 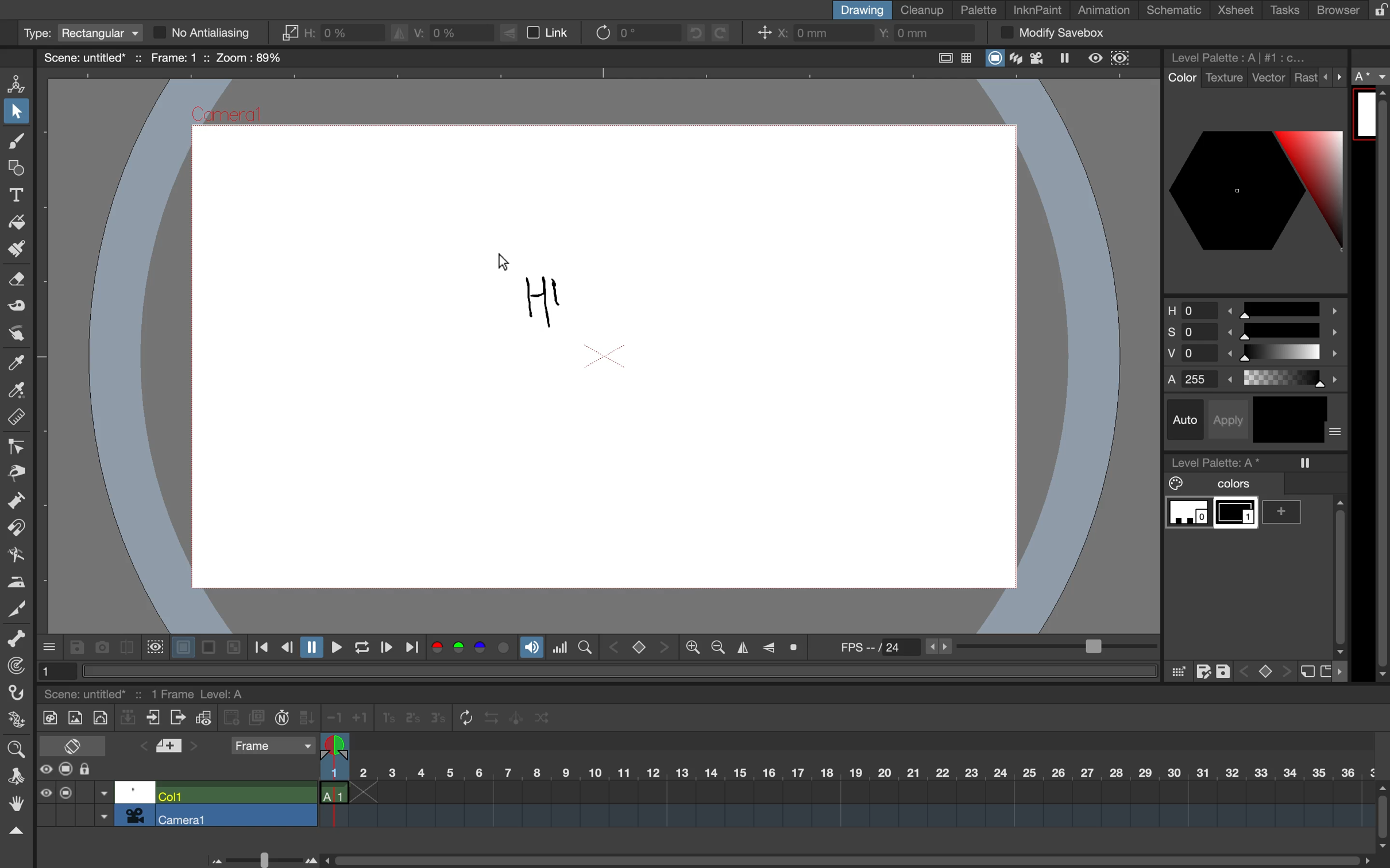 What do you see at coordinates (1372, 77) in the screenshot?
I see `a` at bounding box center [1372, 77].